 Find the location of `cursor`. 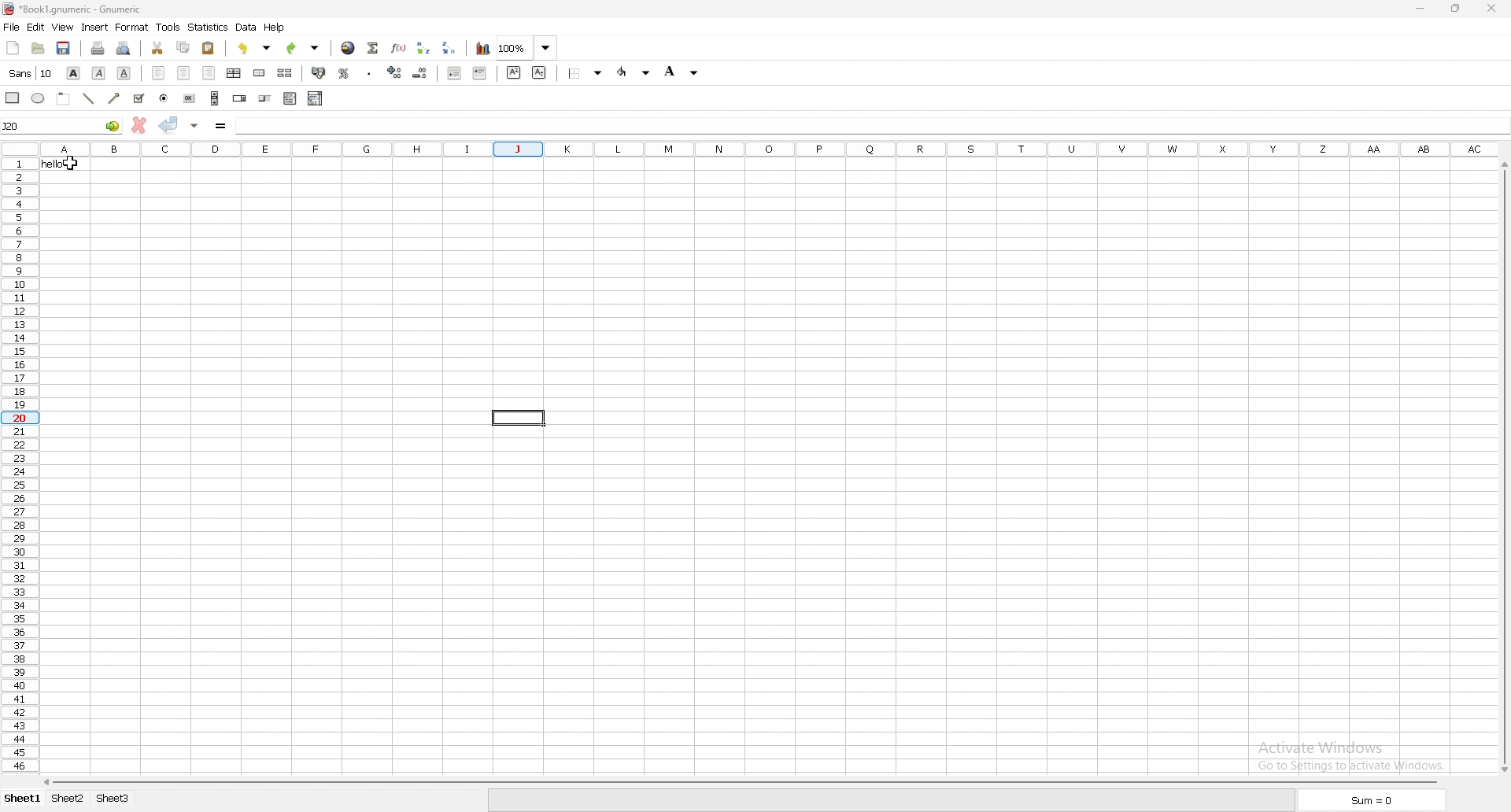

cursor is located at coordinates (69, 164).